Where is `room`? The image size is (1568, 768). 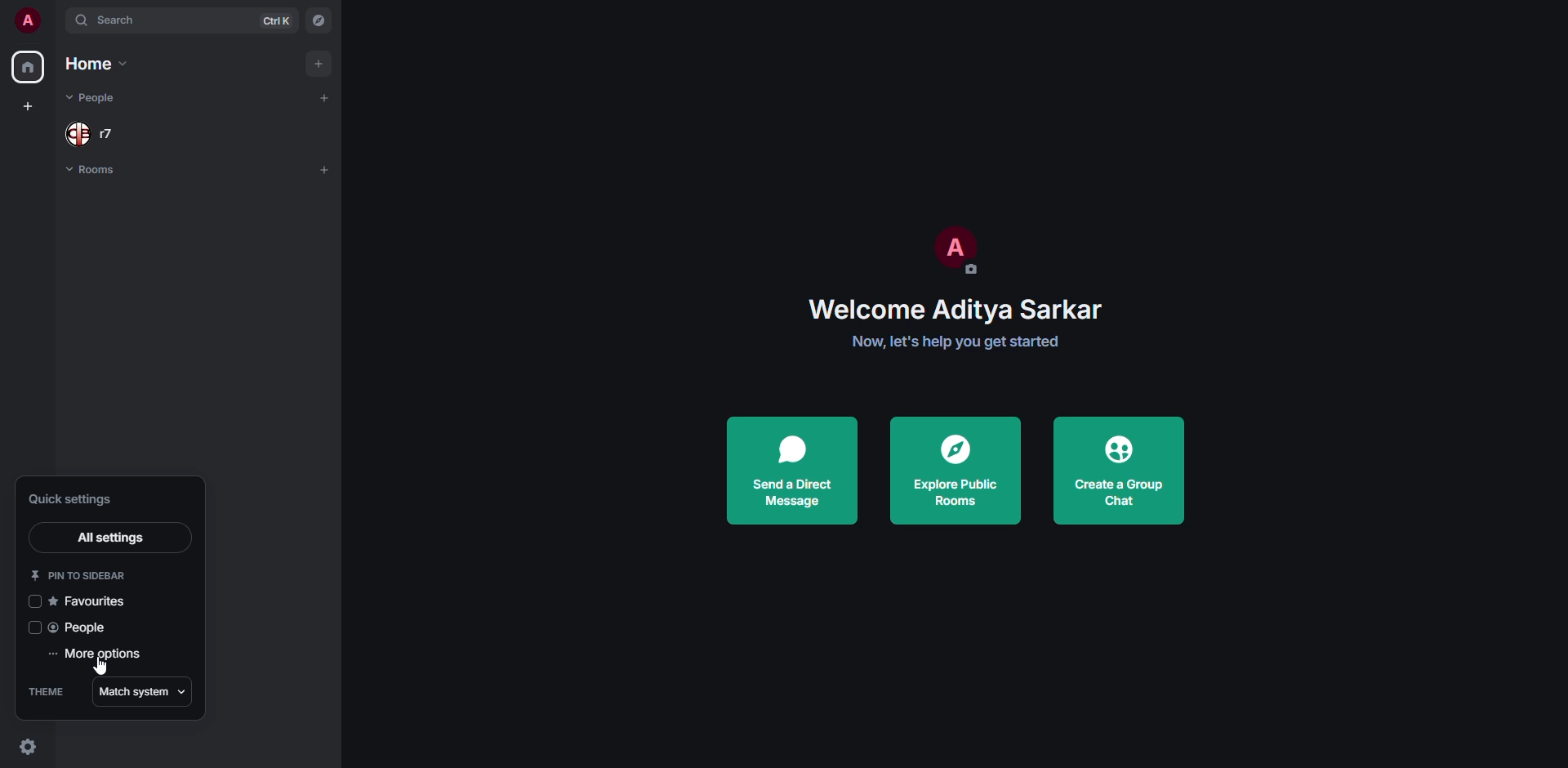 room is located at coordinates (91, 168).